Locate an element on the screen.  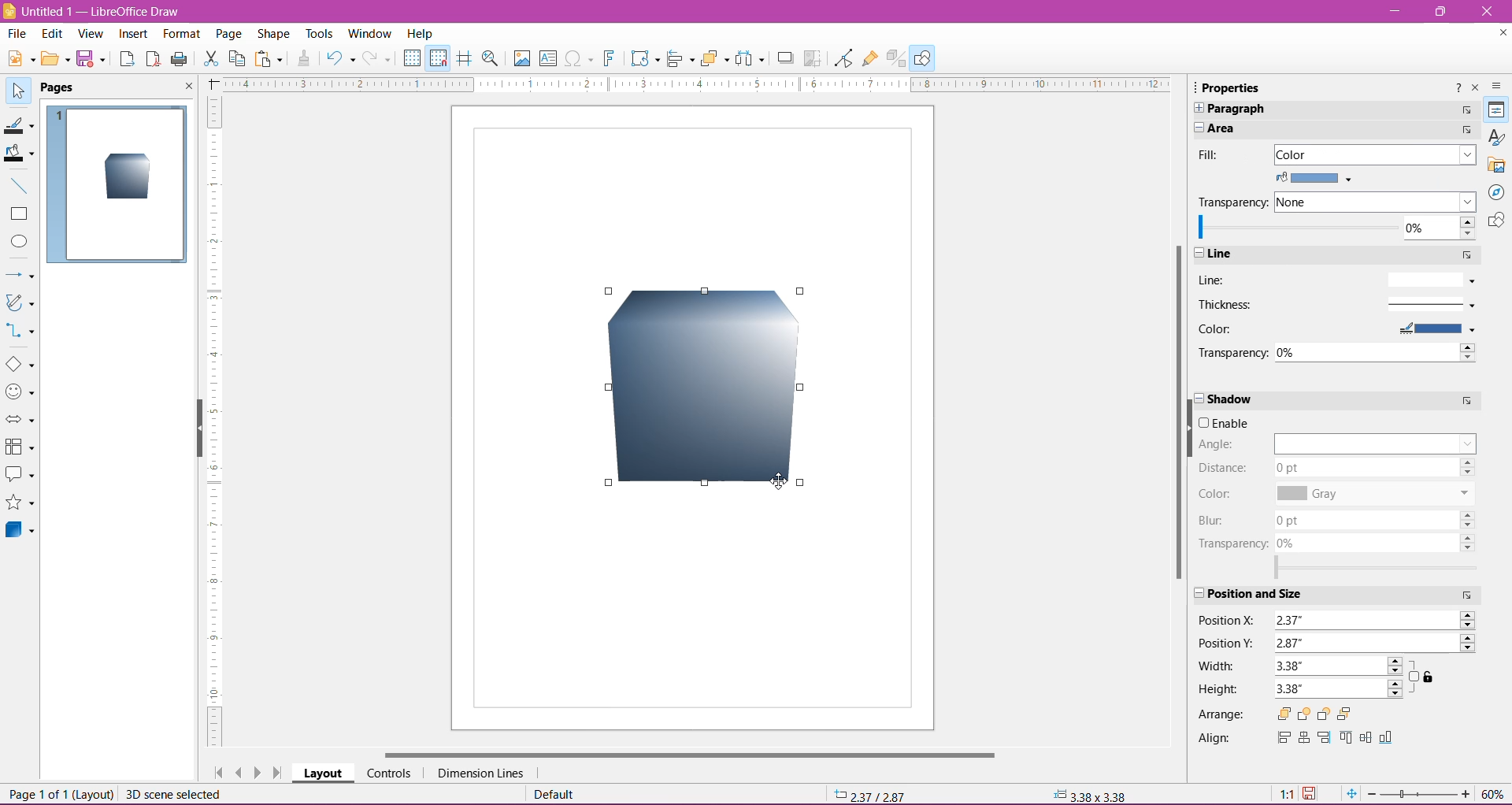
Draw Cube shape cursor is located at coordinates (610, 293).